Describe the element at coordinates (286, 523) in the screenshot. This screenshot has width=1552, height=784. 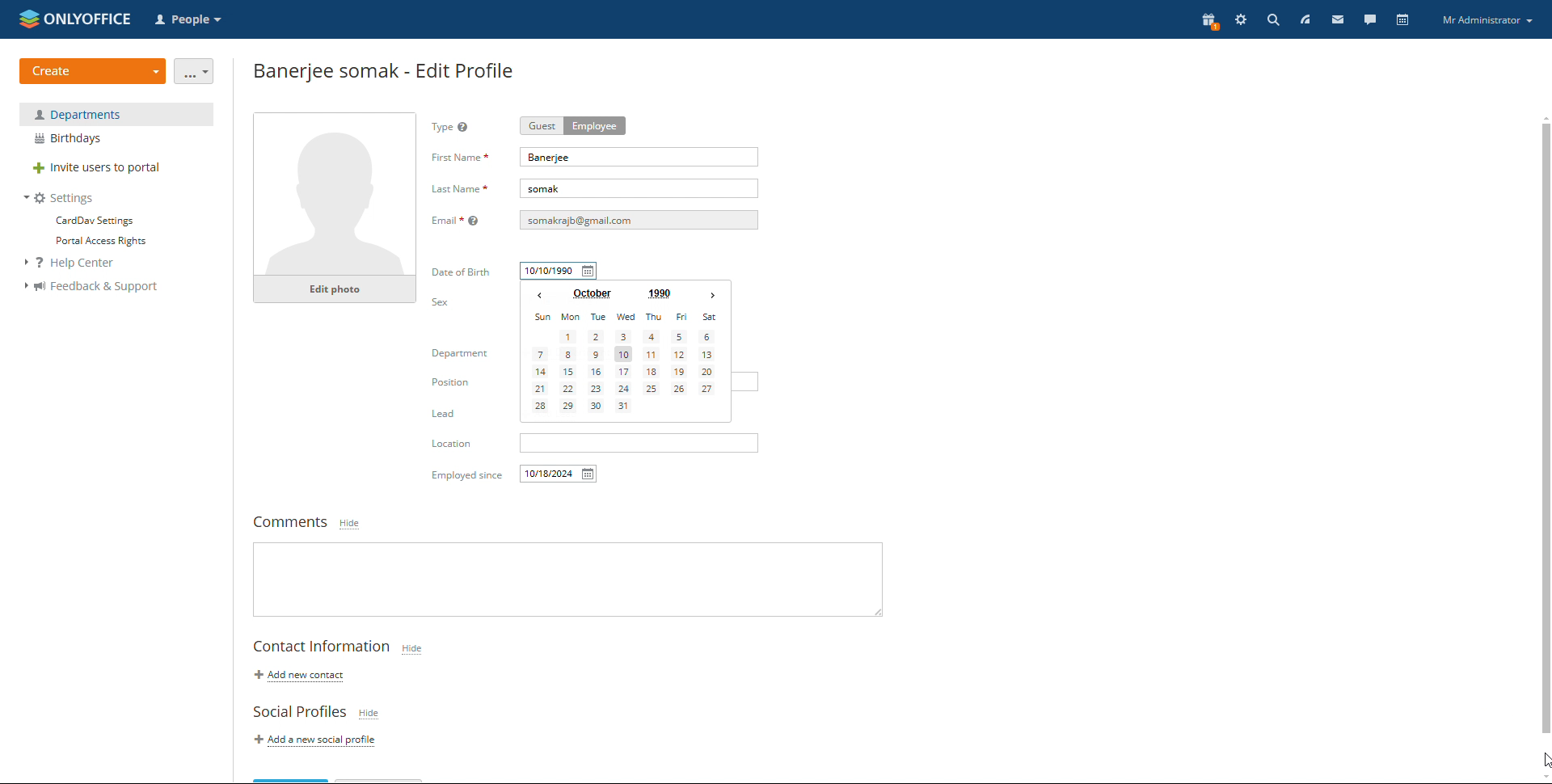
I see `comments` at that location.